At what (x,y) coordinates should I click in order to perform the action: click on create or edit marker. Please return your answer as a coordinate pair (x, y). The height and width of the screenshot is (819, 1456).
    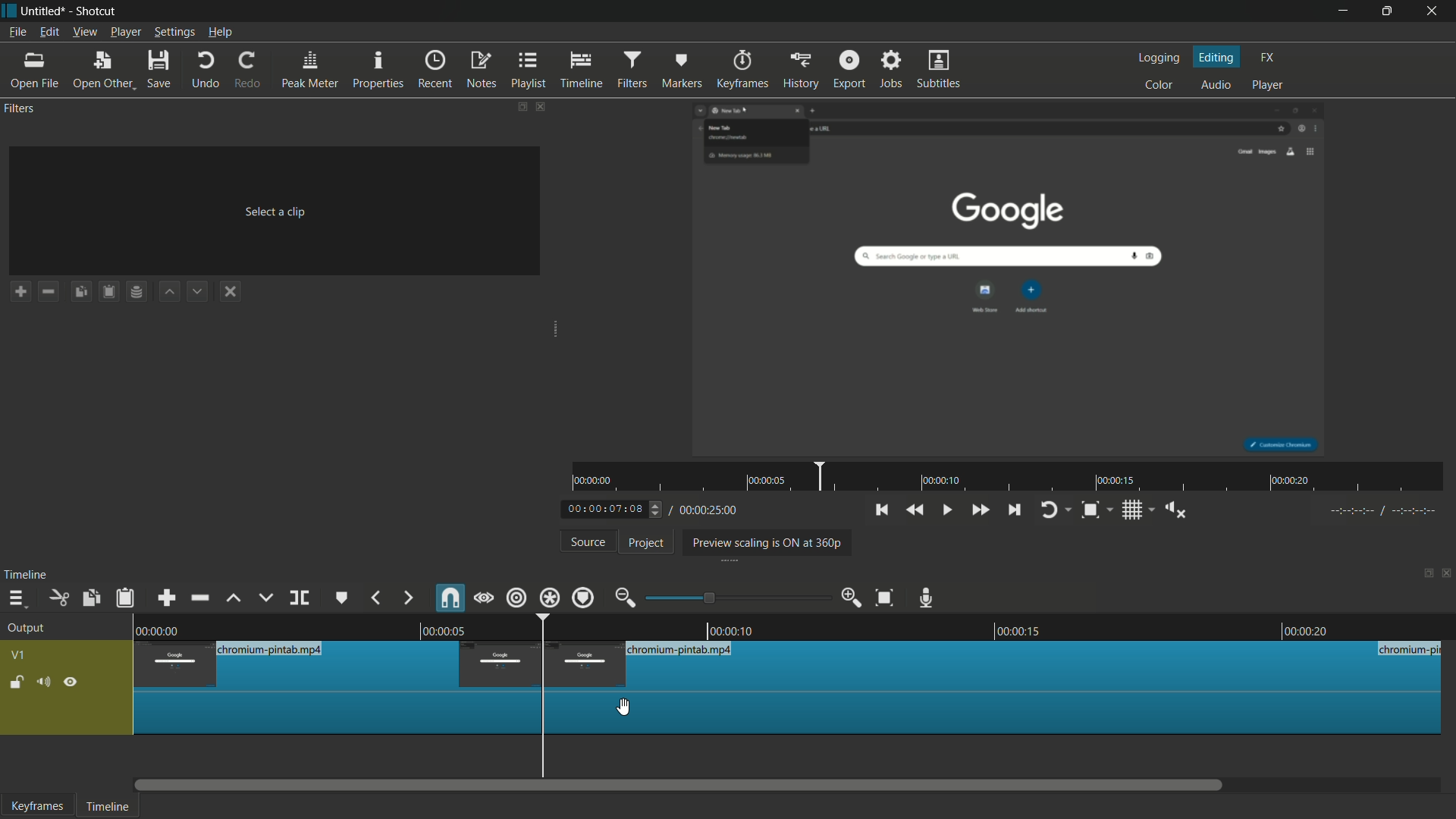
    Looking at the image, I should click on (342, 598).